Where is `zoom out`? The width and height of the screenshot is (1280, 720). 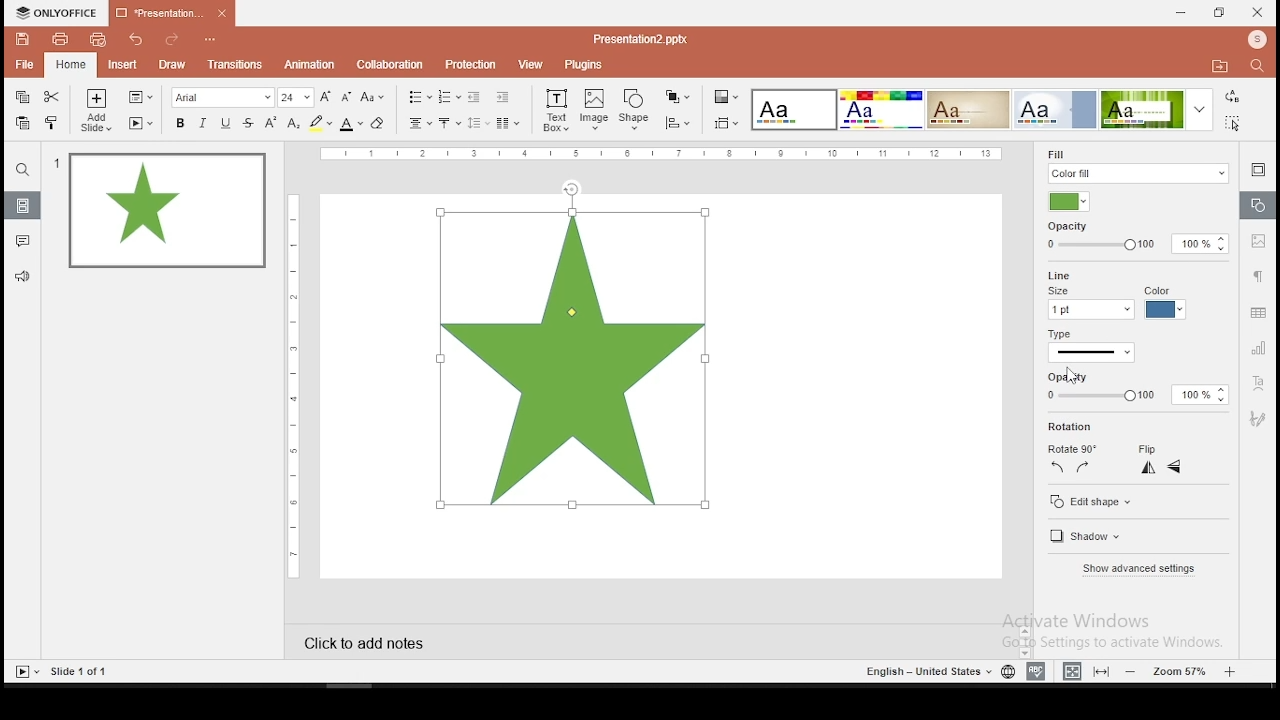 zoom out is located at coordinates (1134, 671).